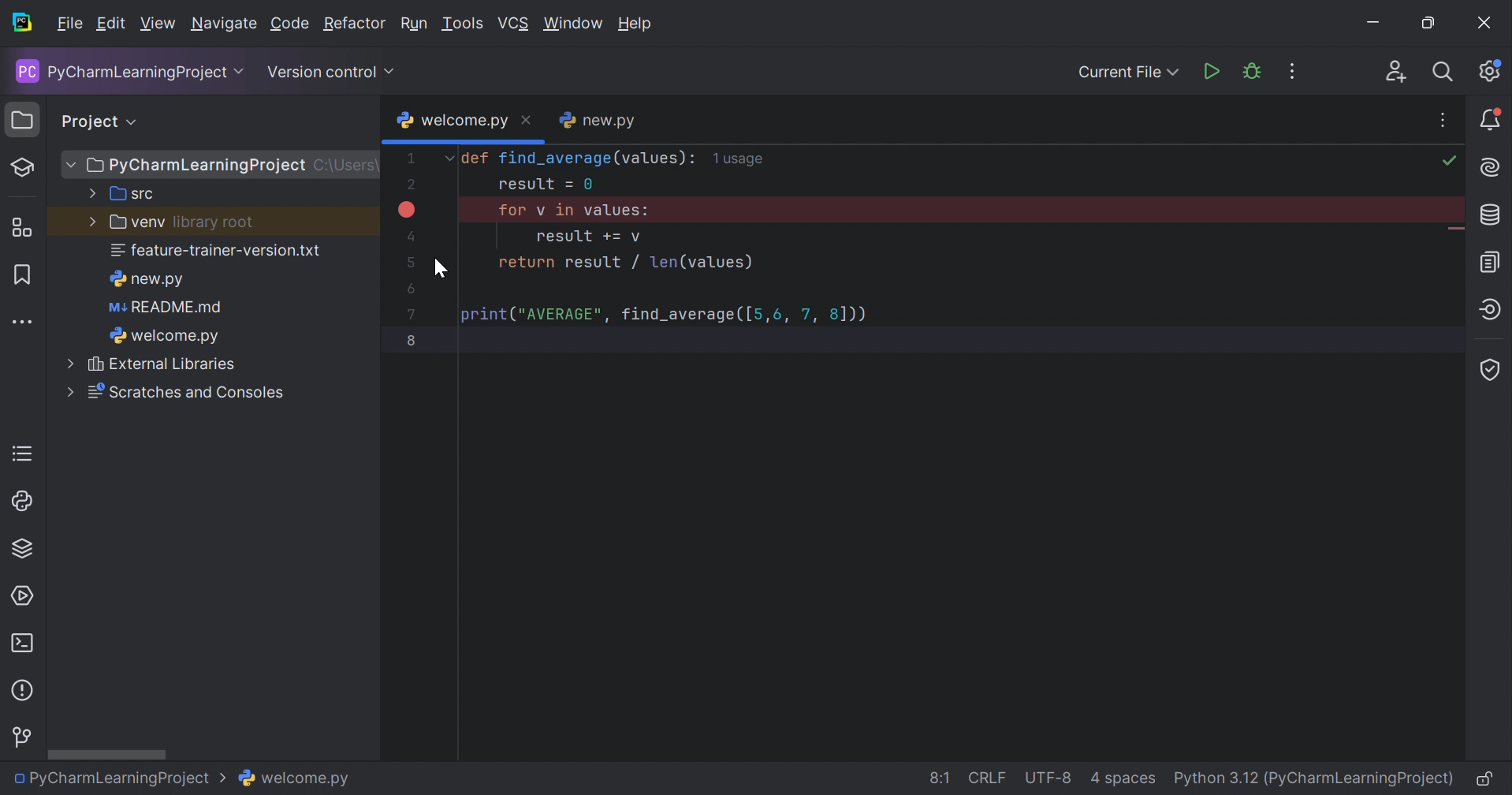 The width and height of the screenshot is (1512, 795). What do you see at coordinates (411, 289) in the screenshot?
I see `6` at bounding box center [411, 289].